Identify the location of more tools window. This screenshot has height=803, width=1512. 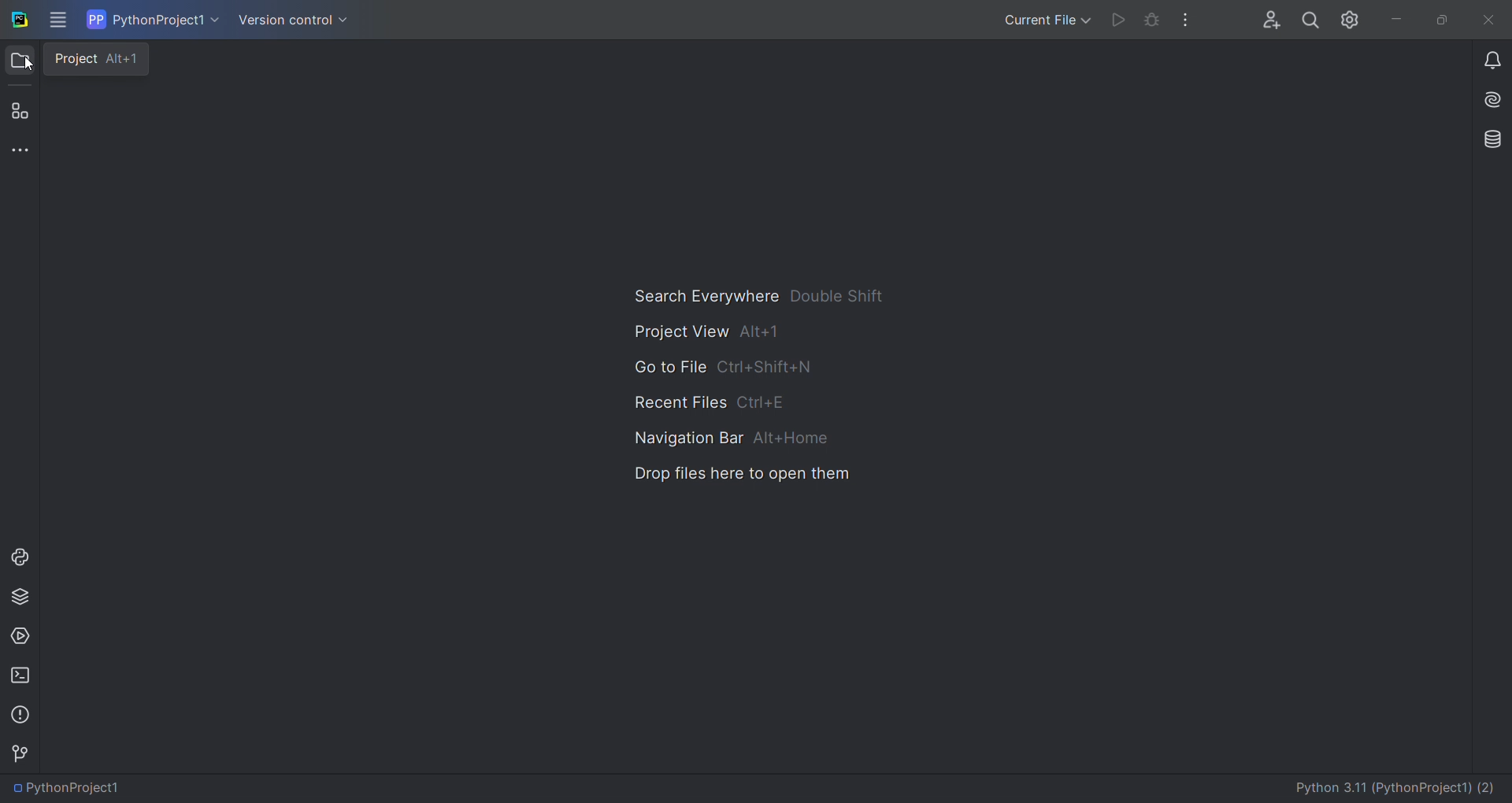
(20, 149).